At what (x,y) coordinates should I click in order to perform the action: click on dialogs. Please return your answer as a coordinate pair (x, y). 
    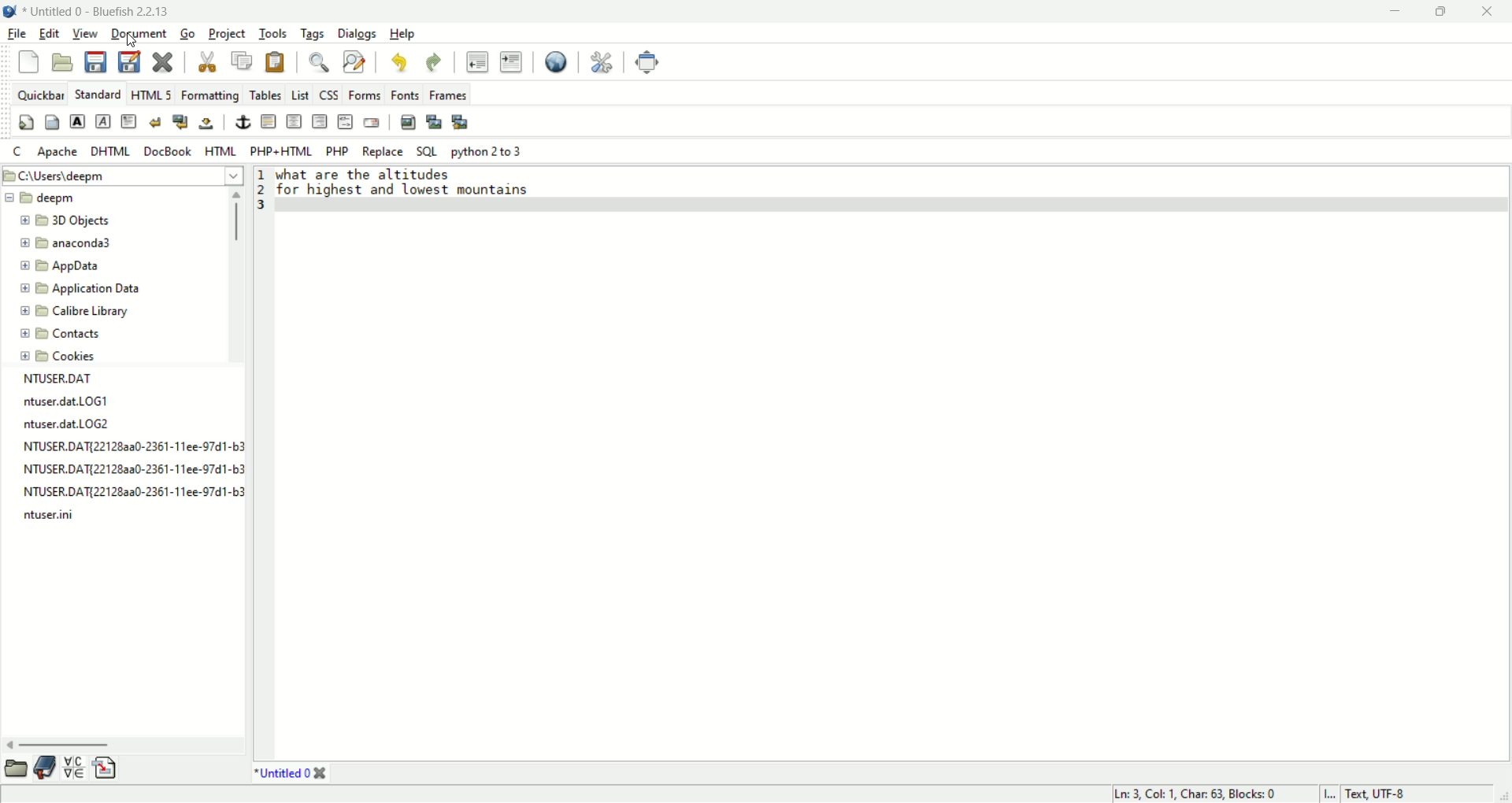
    Looking at the image, I should click on (359, 35).